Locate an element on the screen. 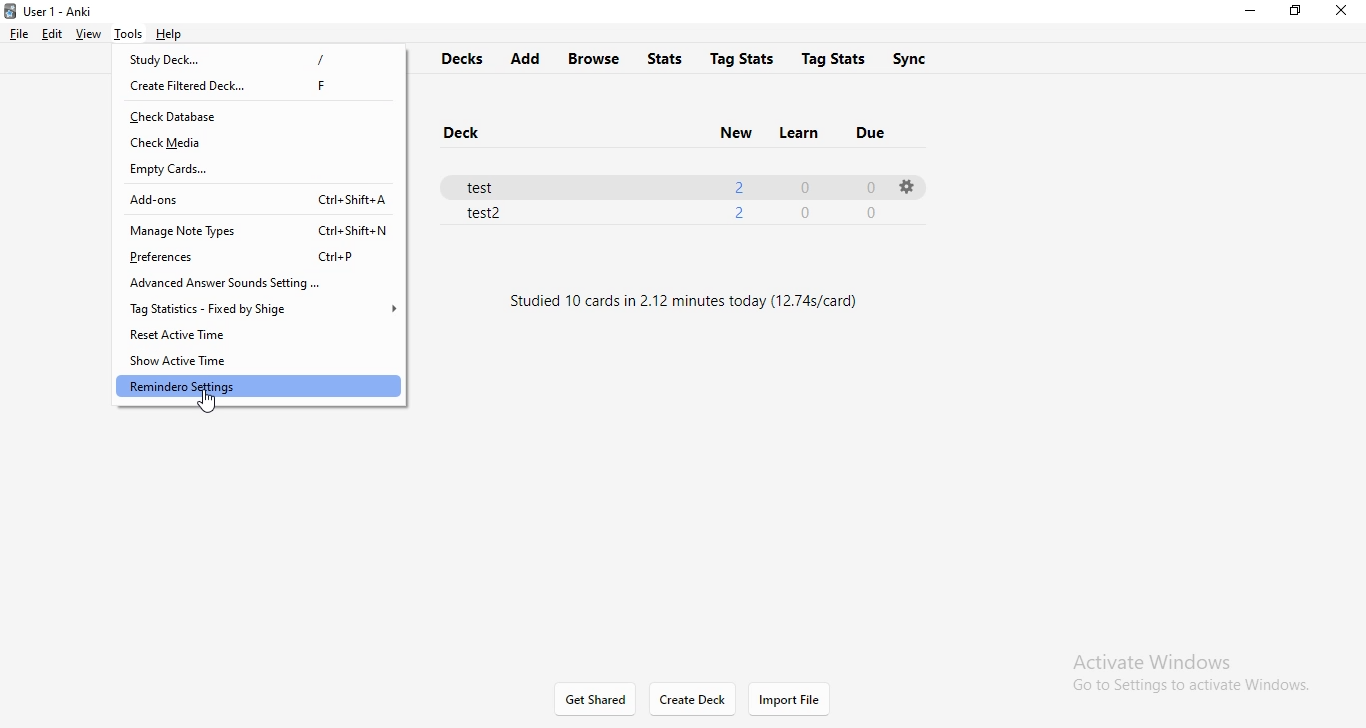  test2 is located at coordinates (488, 215).